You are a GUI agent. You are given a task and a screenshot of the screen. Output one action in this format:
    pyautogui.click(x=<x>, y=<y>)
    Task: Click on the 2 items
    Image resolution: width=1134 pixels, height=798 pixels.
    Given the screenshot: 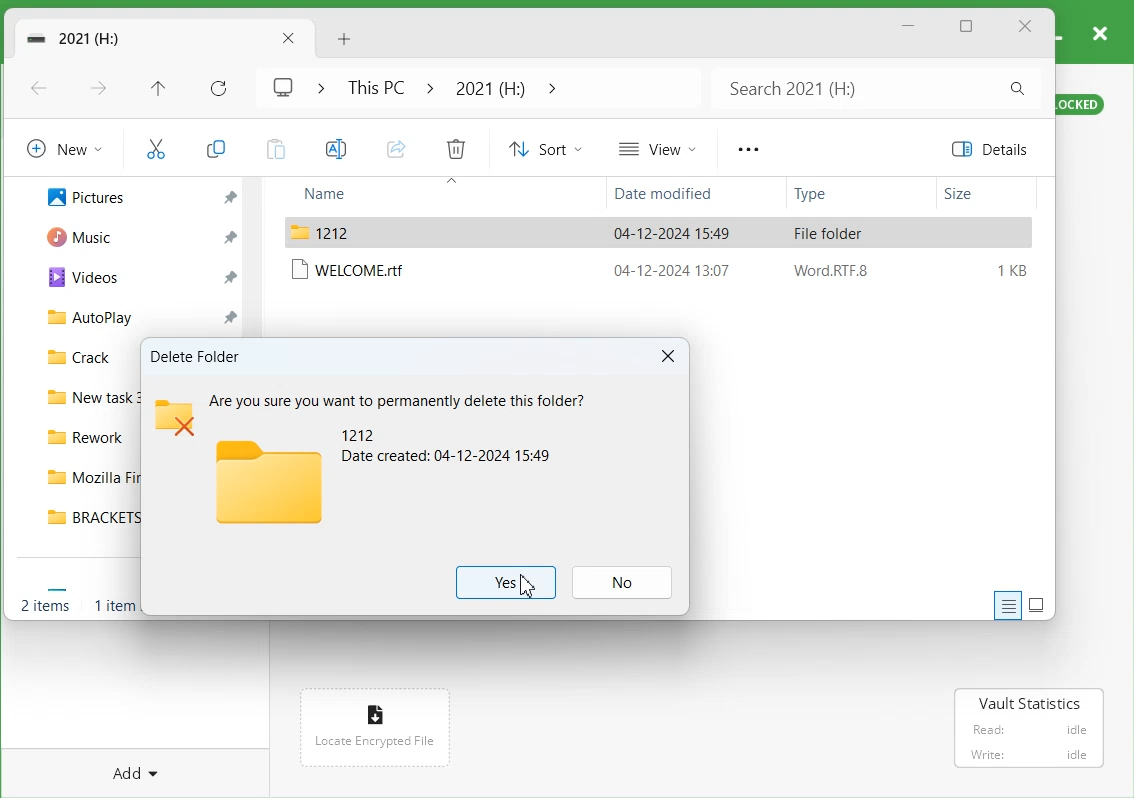 What is the action you would take?
    pyautogui.click(x=45, y=605)
    